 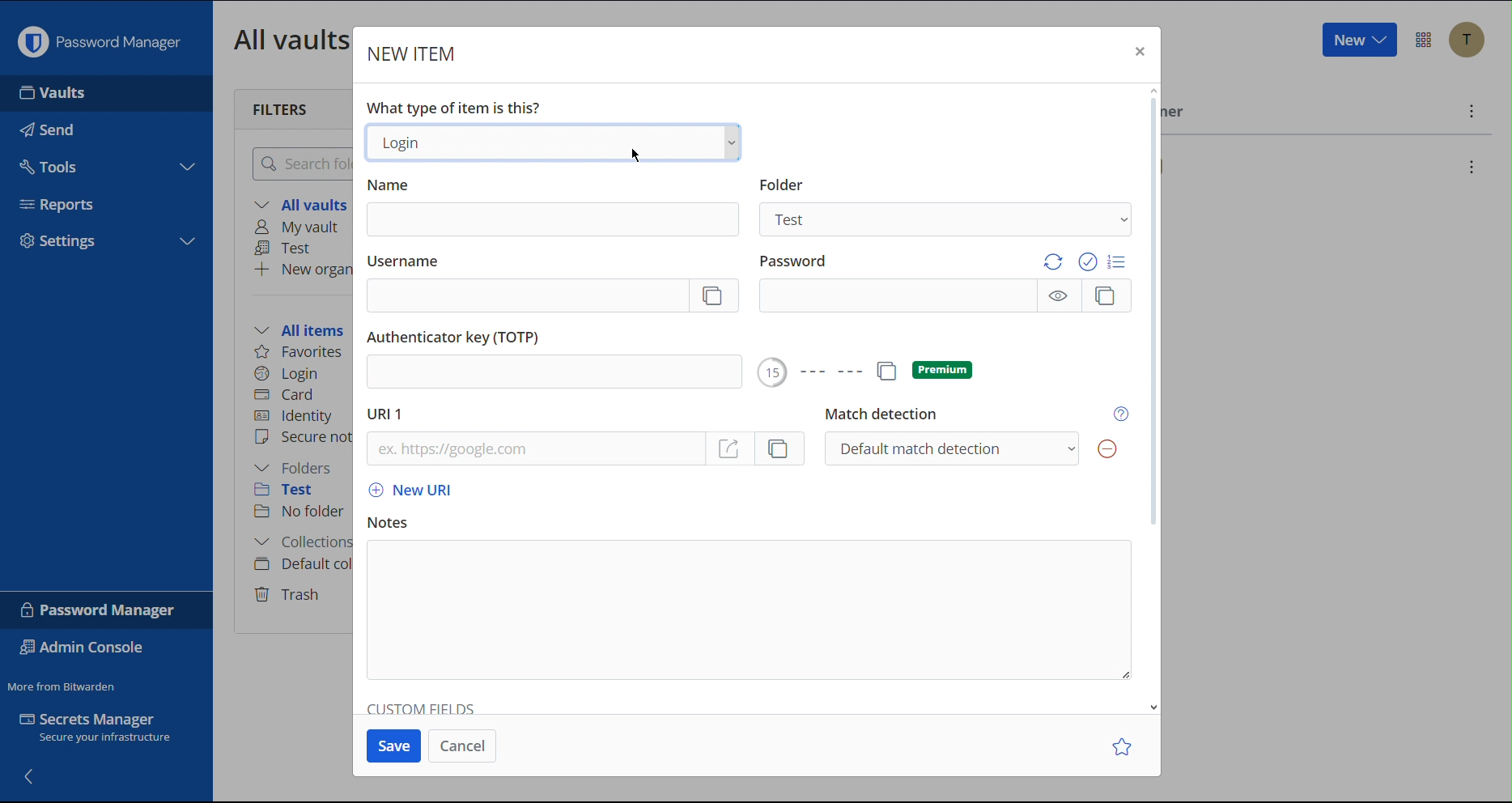 What do you see at coordinates (1123, 414) in the screenshot?
I see `Help` at bounding box center [1123, 414].